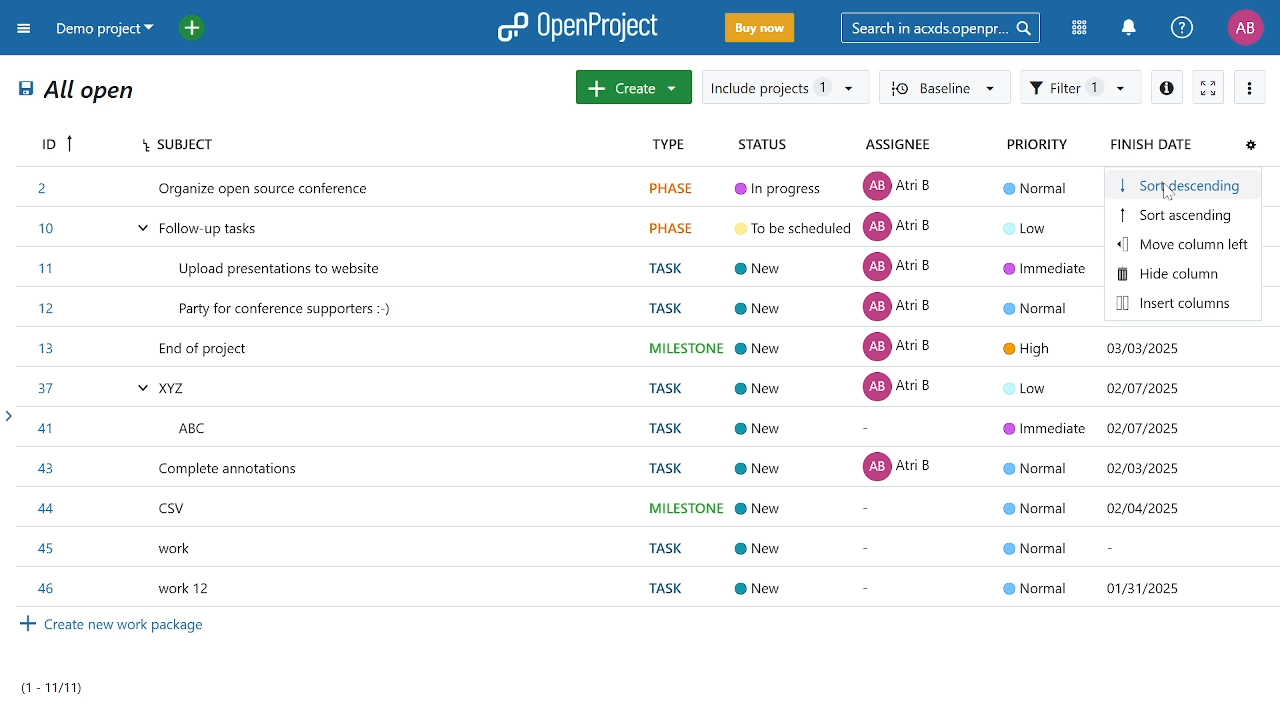 This screenshot has height=720, width=1280. What do you see at coordinates (1128, 28) in the screenshot?
I see `notification center` at bounding box center [1128, 28].